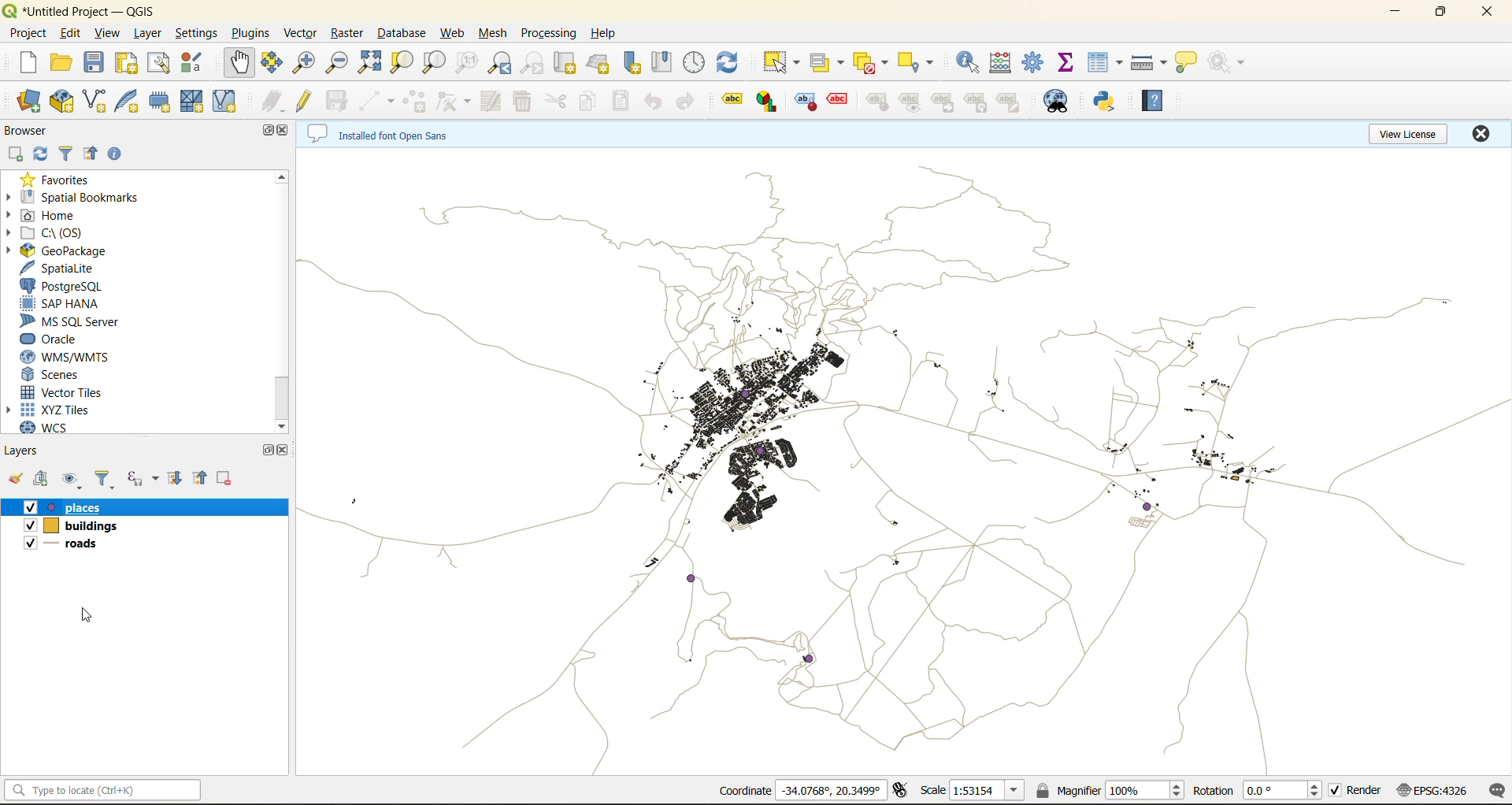  Describe the element at coordinates (32, 133) in the screenshot. I see `browser` at that location.